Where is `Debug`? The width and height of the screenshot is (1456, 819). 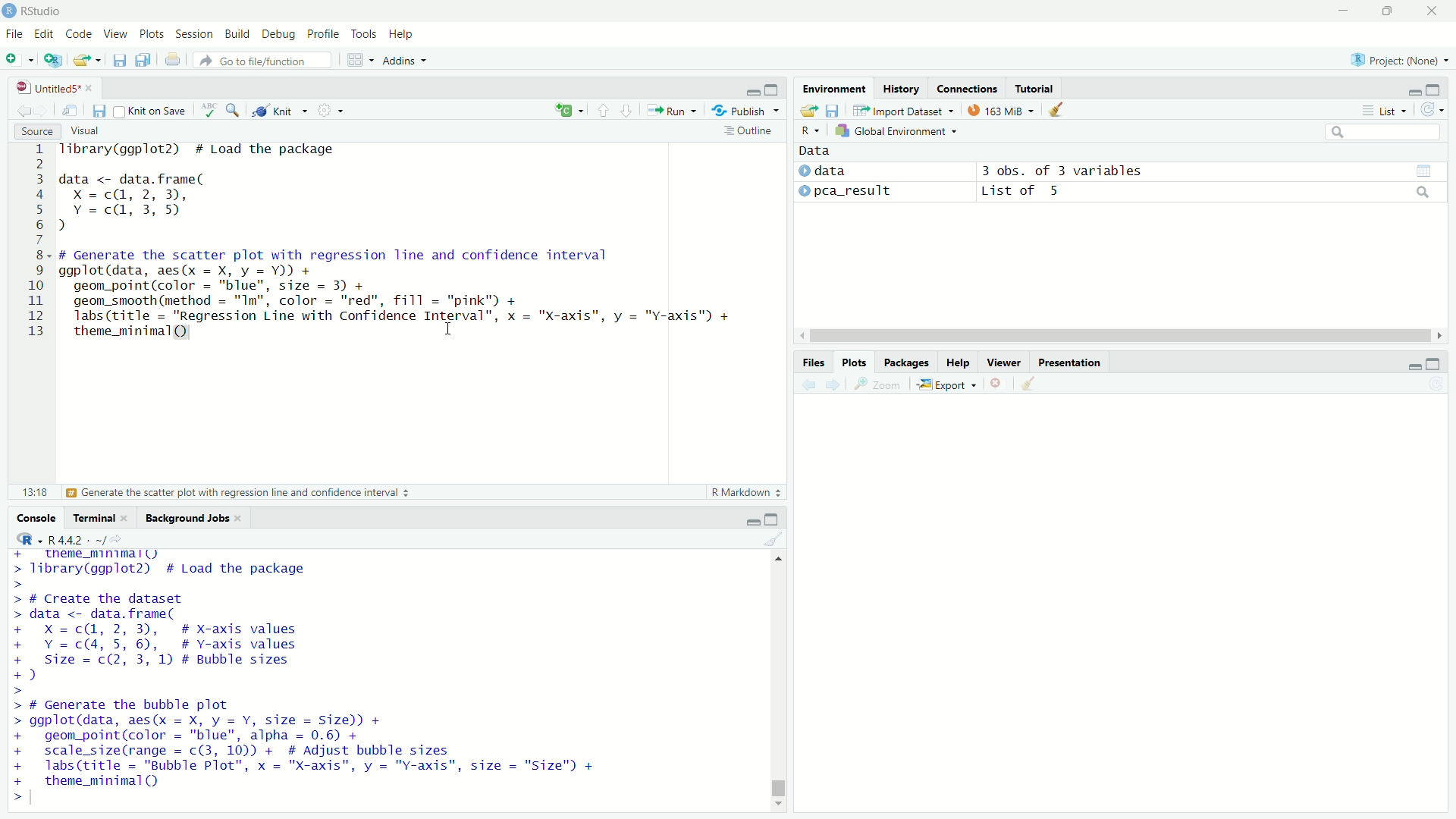
Debug is located at coordinates (278, 34).